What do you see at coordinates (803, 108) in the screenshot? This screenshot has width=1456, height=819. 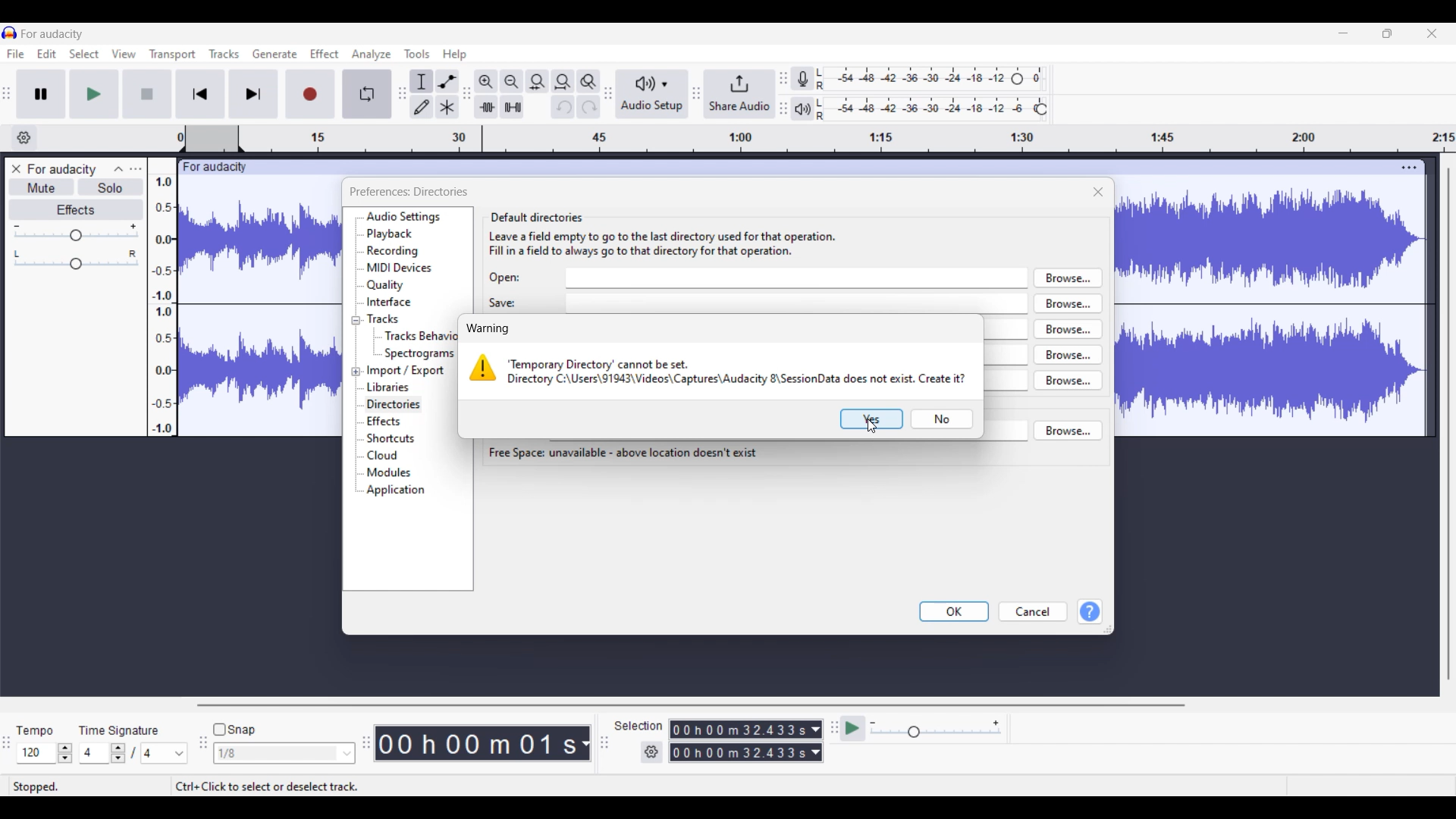 I see `Playback meter` at bounding box center [803, 108].